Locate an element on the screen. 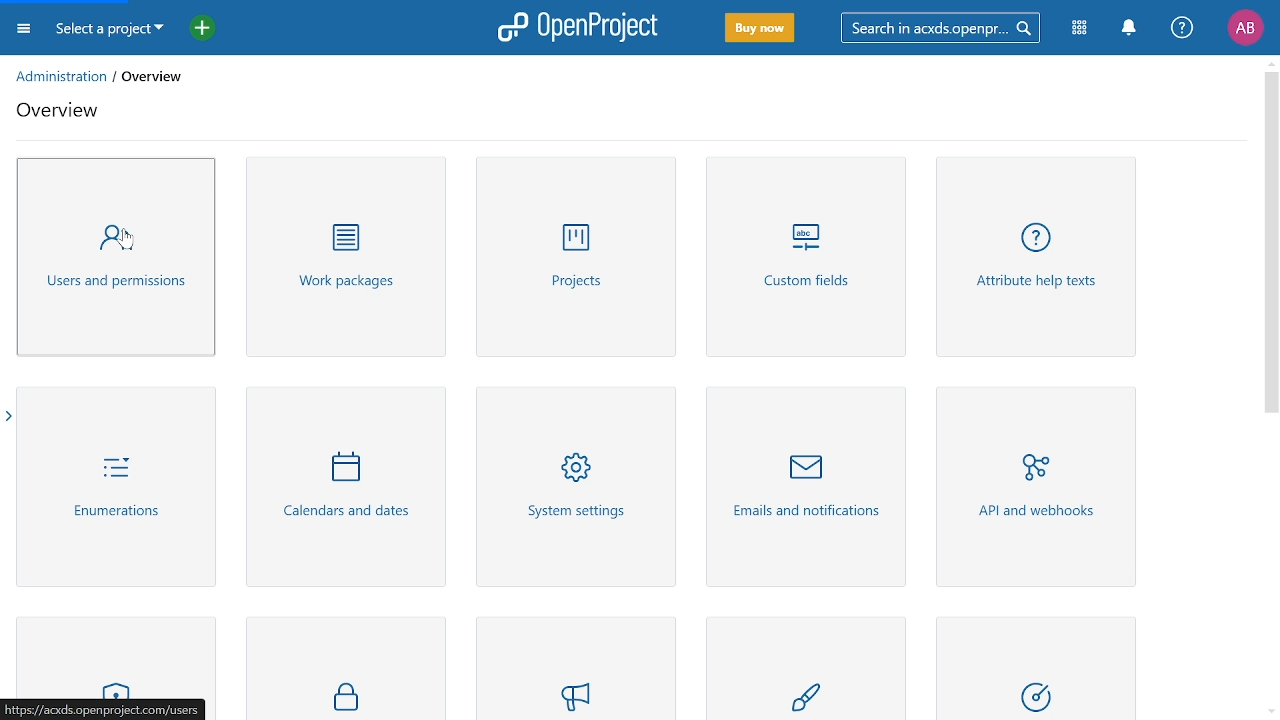  cursor is located at coordinates (133, 245).